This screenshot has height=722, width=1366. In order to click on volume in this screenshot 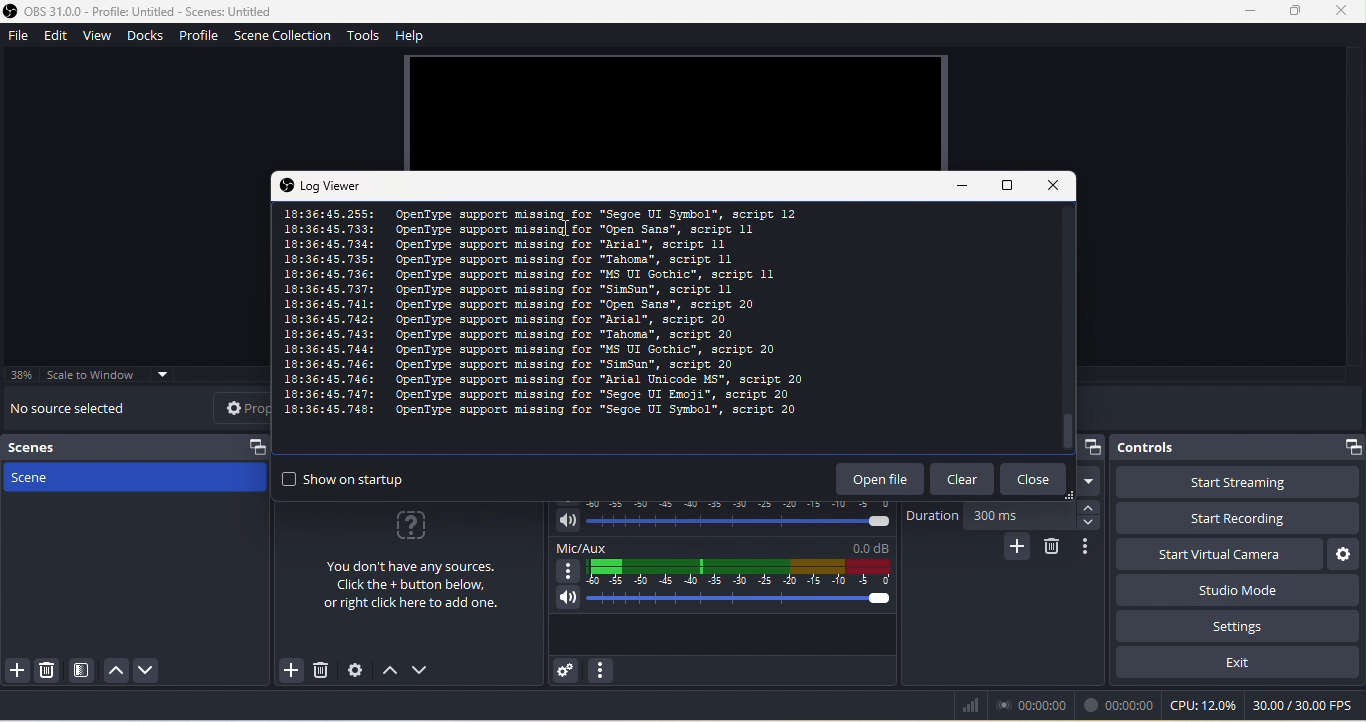, I will do `click(719, 523)`.